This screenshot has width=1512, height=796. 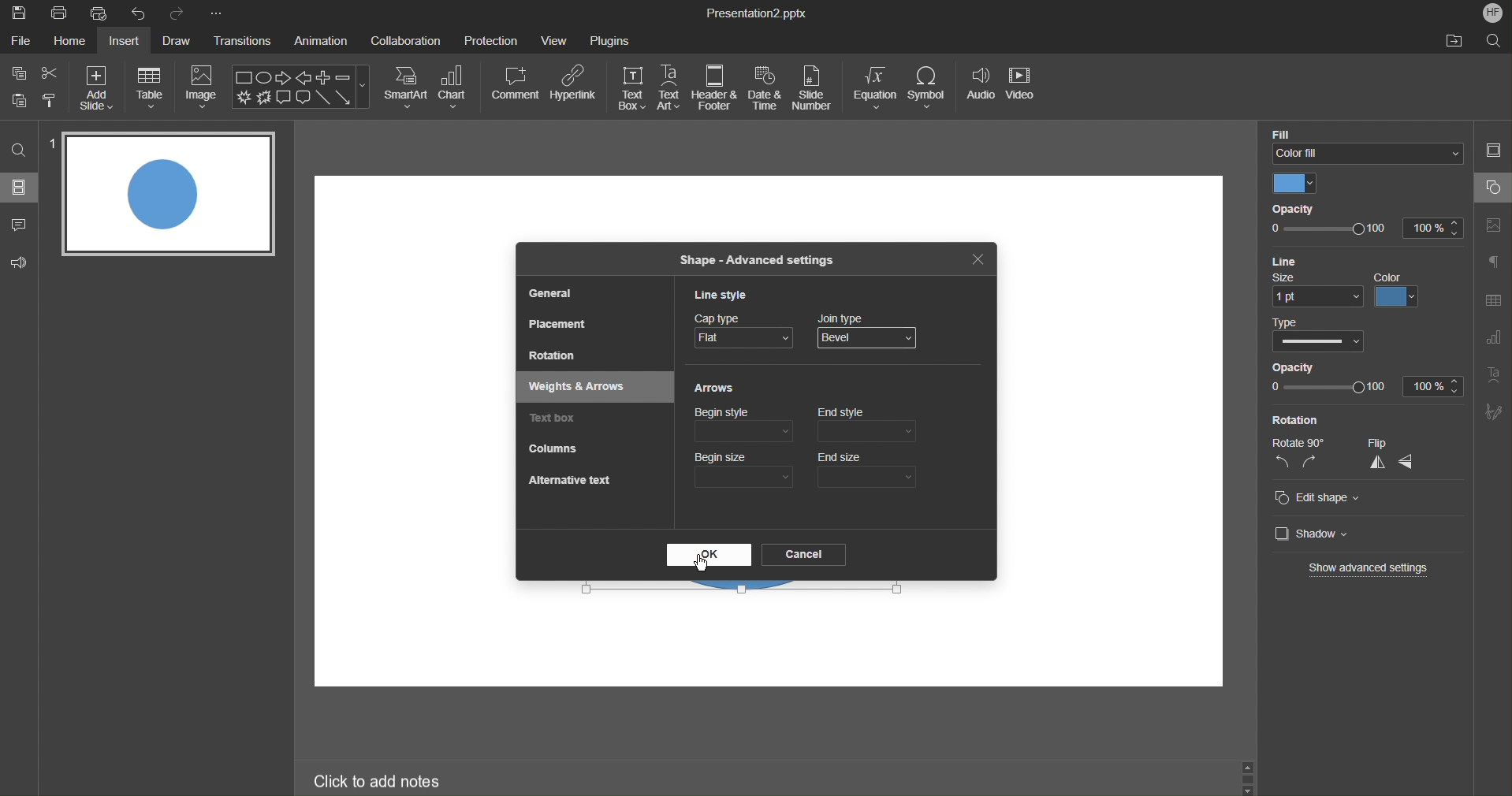 What do you see at coordinates (872, 367) in the screenshot?
I see `Round` at bounding box center [872, 367].